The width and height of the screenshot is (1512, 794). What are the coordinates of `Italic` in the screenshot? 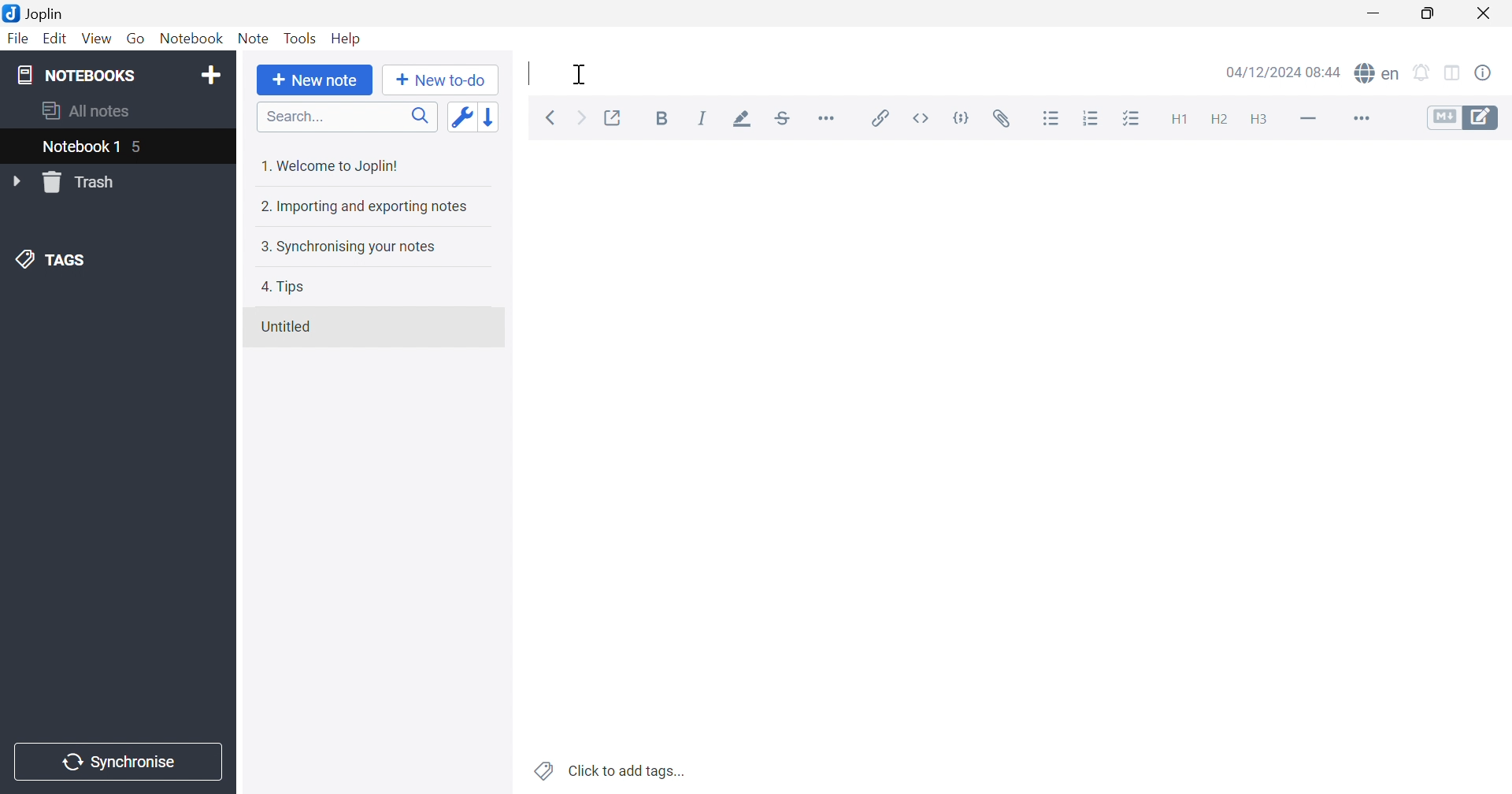 It's located at (702, 117).